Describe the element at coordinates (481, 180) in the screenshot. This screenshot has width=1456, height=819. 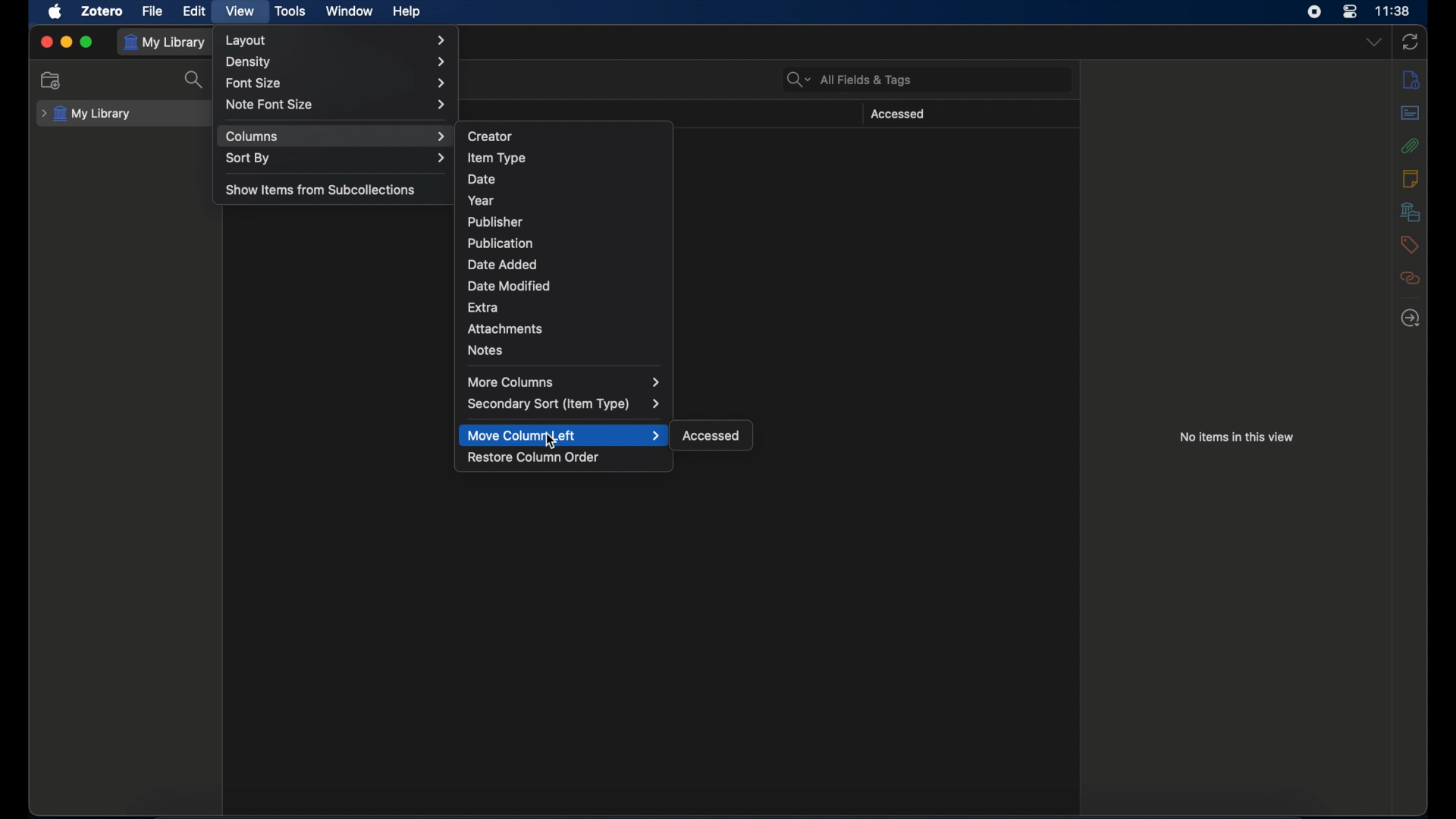
I see `date` at that location.